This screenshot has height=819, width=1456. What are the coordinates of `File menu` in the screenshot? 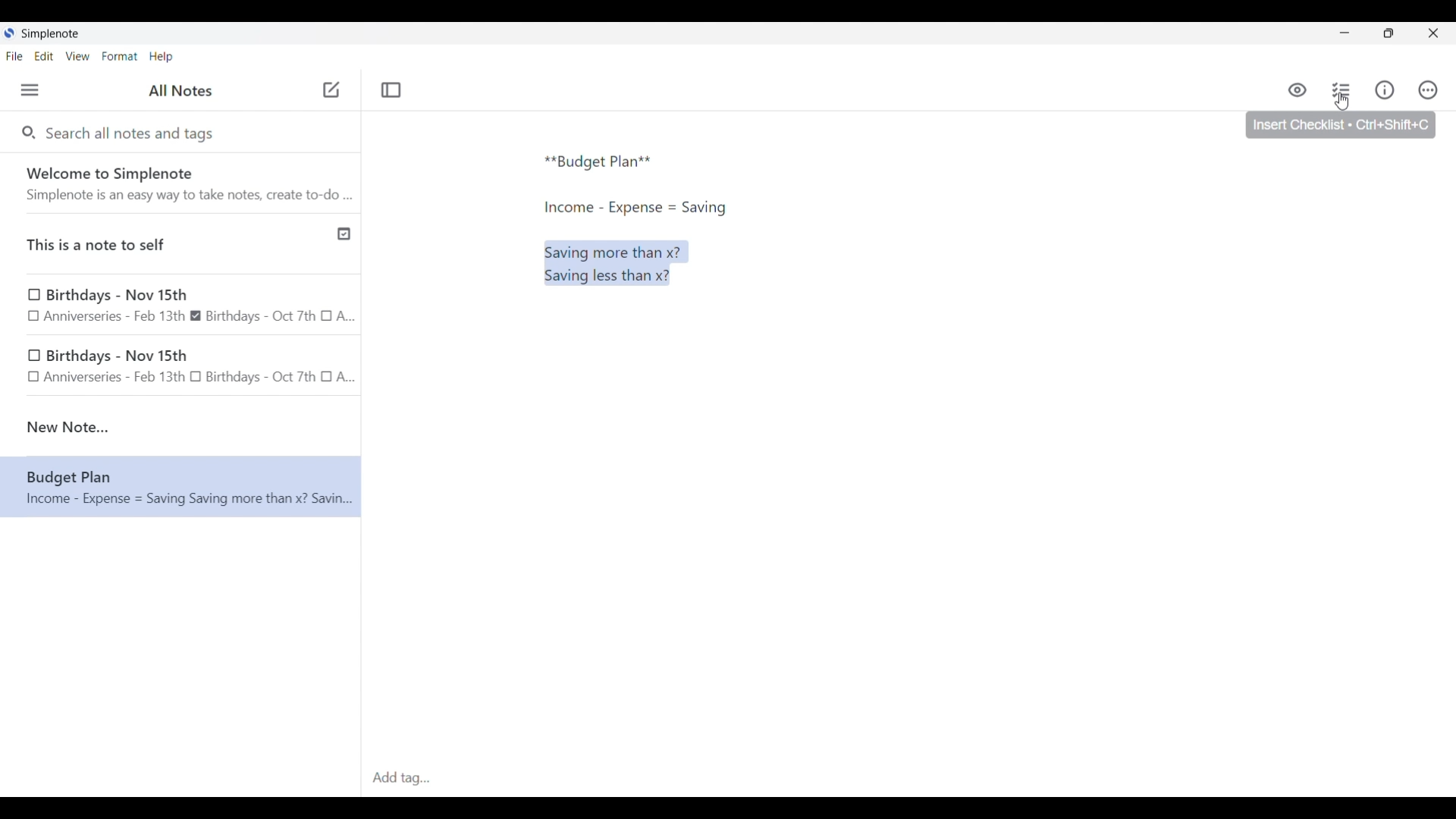 It's located at (14, 55).